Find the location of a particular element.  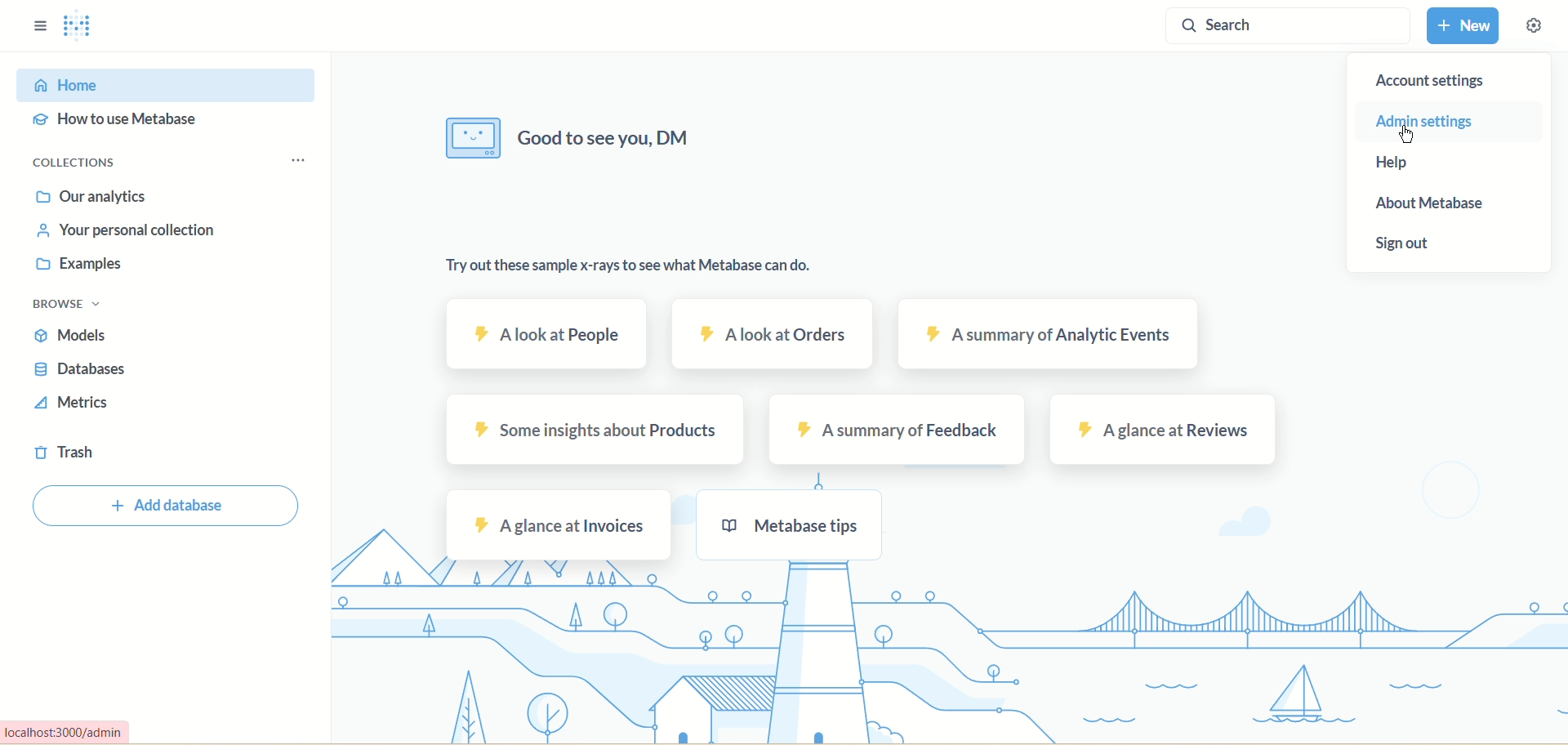

localhost:3000/admin is located at coordinates (66, 731).